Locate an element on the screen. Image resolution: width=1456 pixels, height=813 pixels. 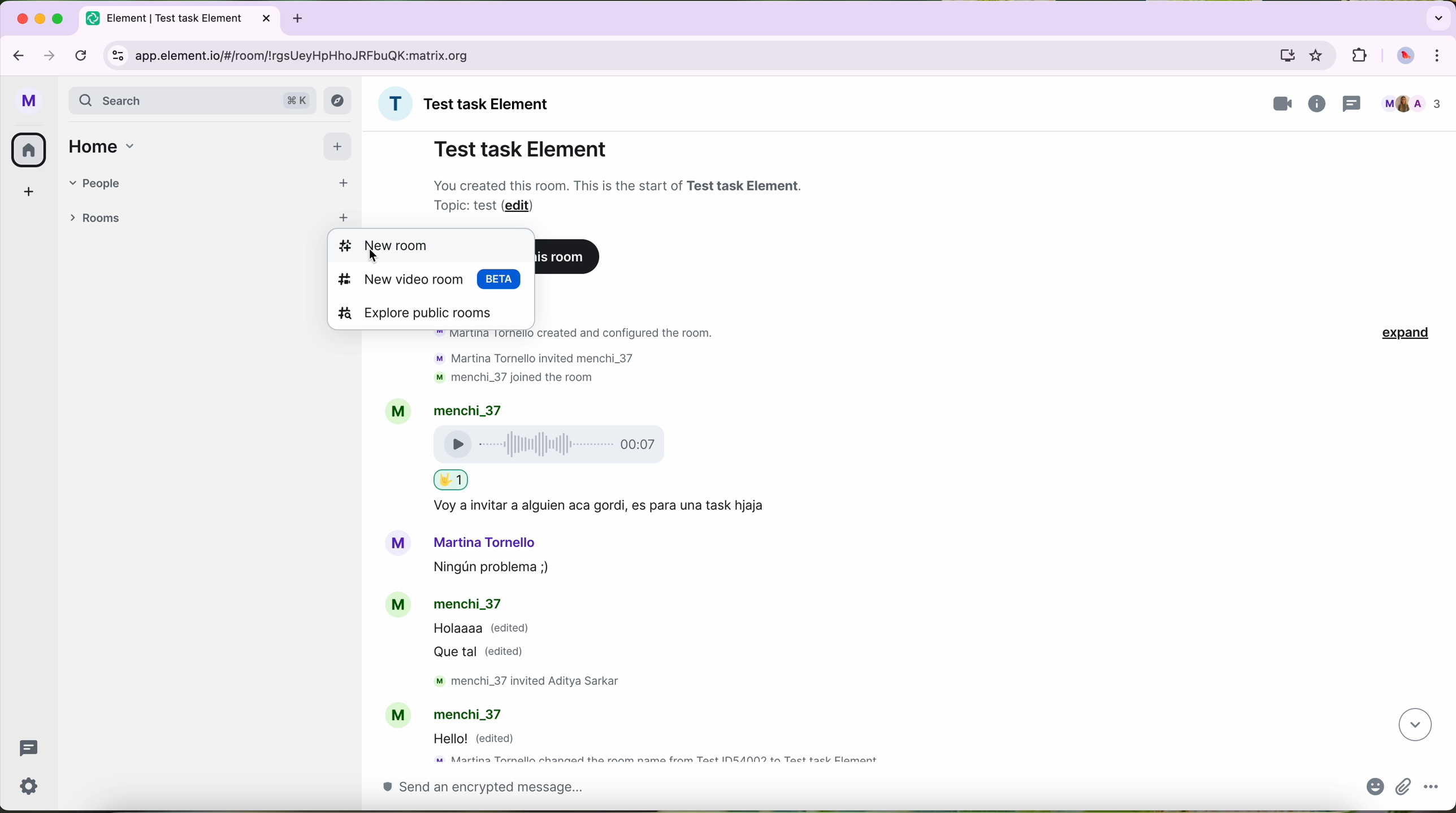
extensions is located at coordinates (1358, 54).